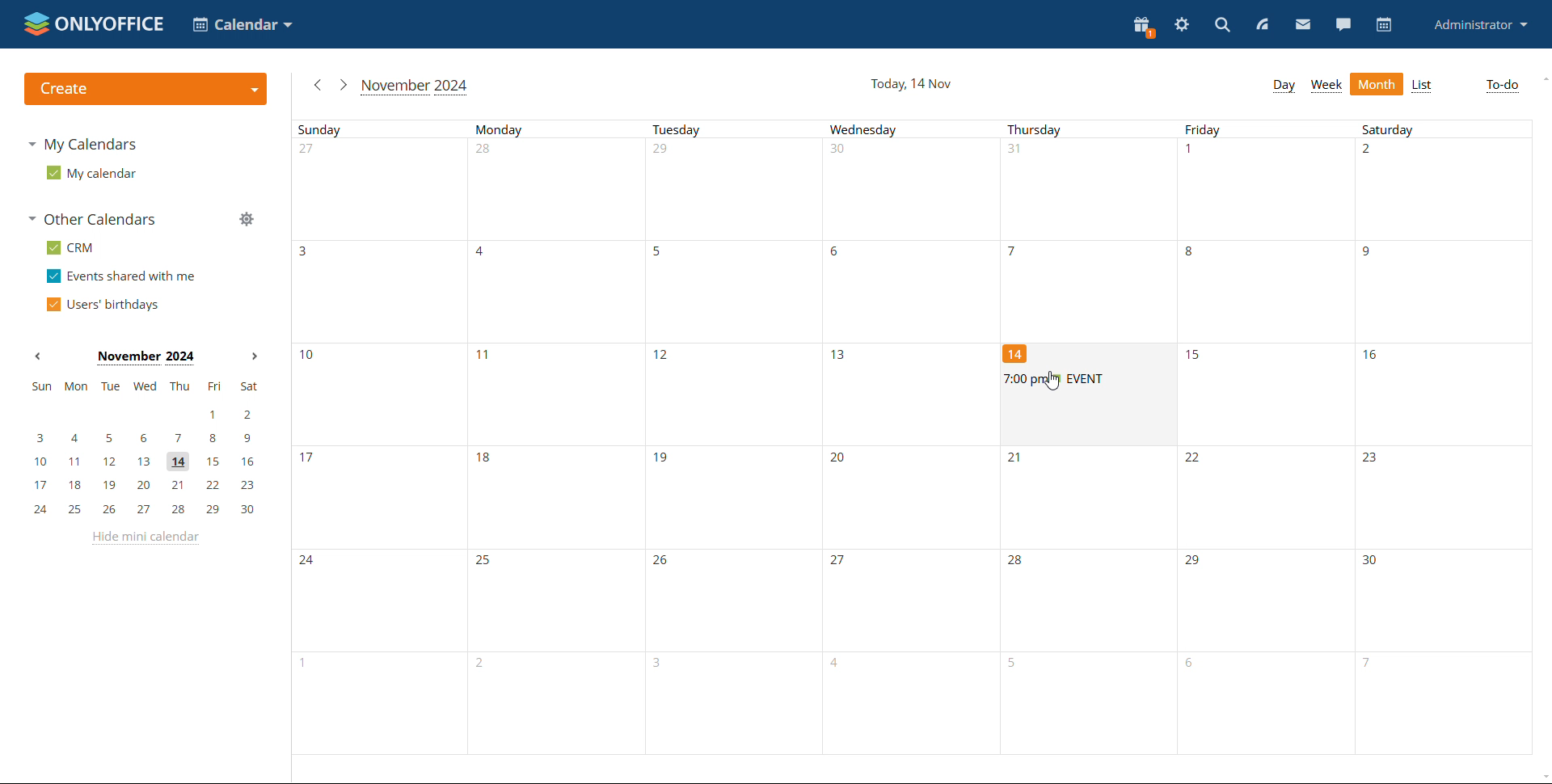 Image resolution: width=1552 pixels, height=784 pixels. Describe the element at coordinates (1192, 252) in the screenshot. I see `number` at that location.